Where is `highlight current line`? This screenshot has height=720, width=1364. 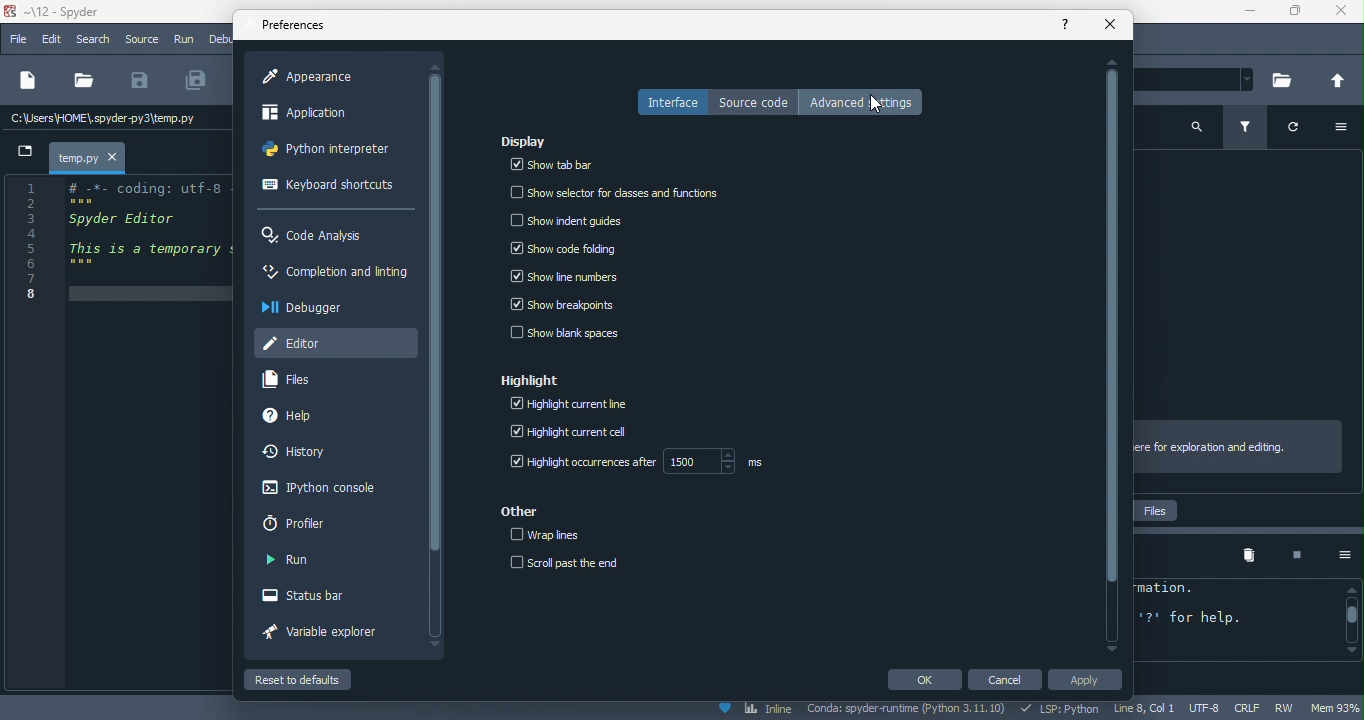 highlight current line is located at coordinates (578, 407).